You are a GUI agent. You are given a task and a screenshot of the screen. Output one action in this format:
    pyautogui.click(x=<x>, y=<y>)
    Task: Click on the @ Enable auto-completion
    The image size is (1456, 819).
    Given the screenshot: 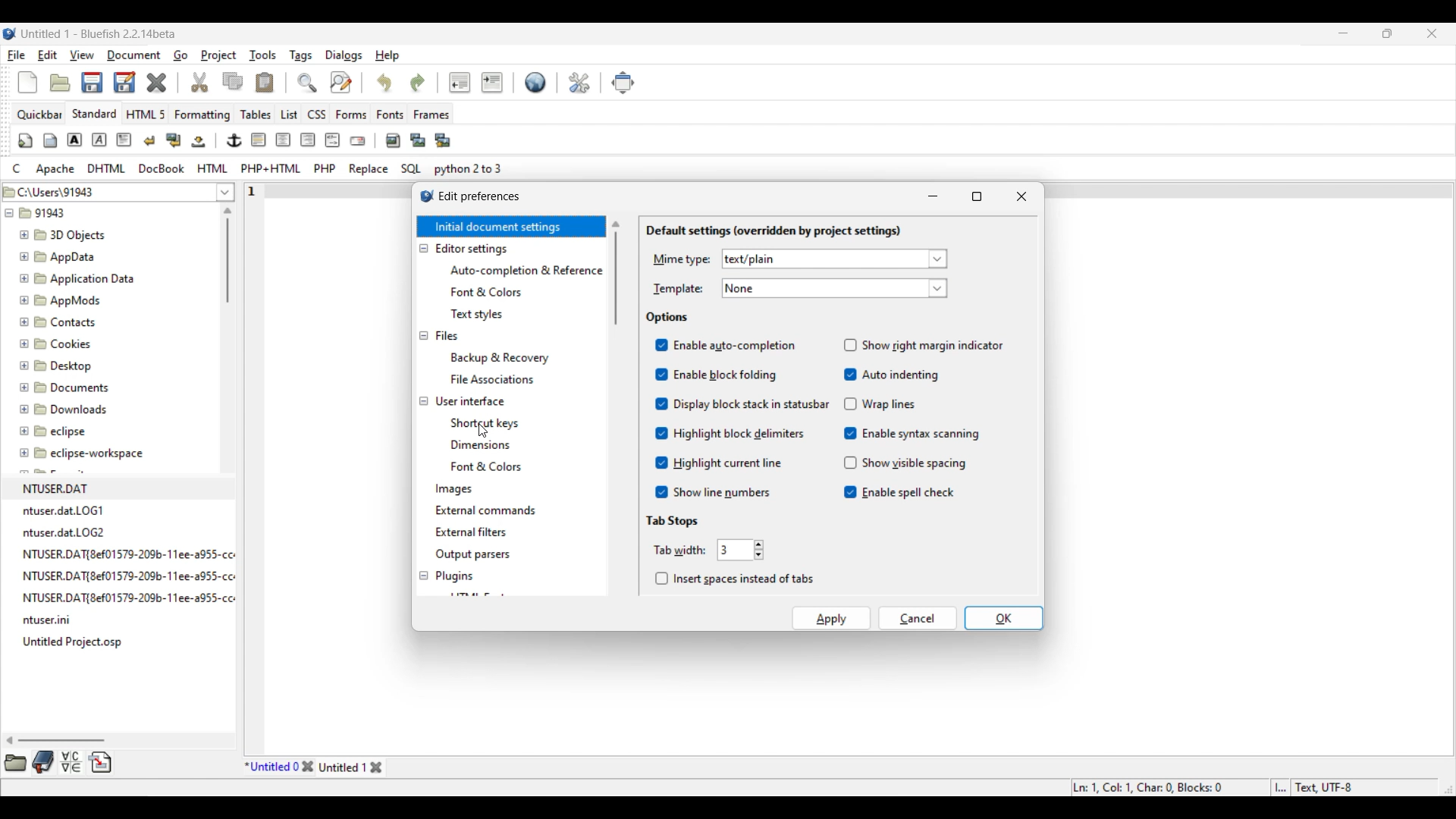 What is the action you would take?
    pyautogui.click(x=726, y=346)
    